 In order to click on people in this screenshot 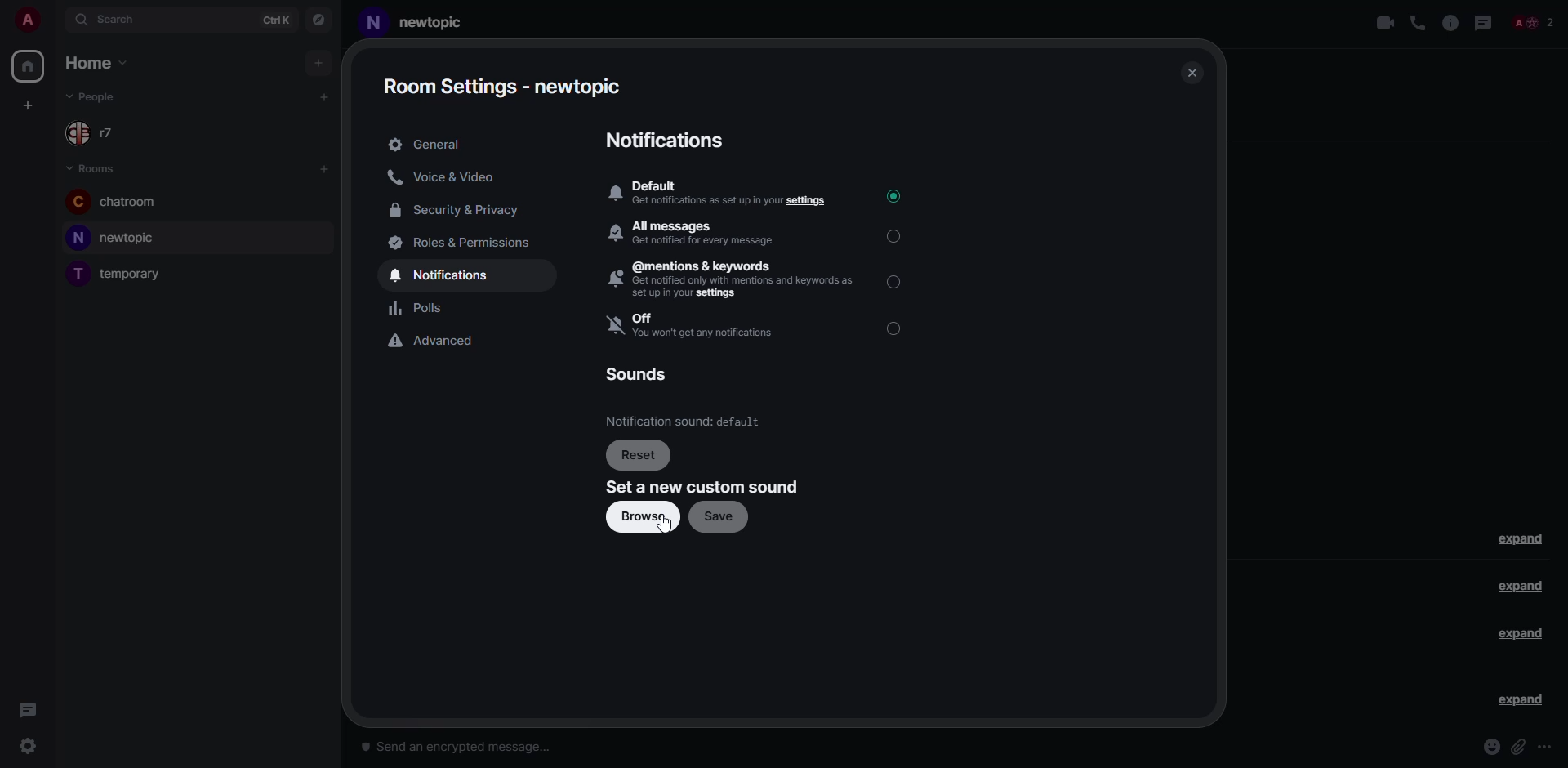, I will do `click(1532, 23)`.